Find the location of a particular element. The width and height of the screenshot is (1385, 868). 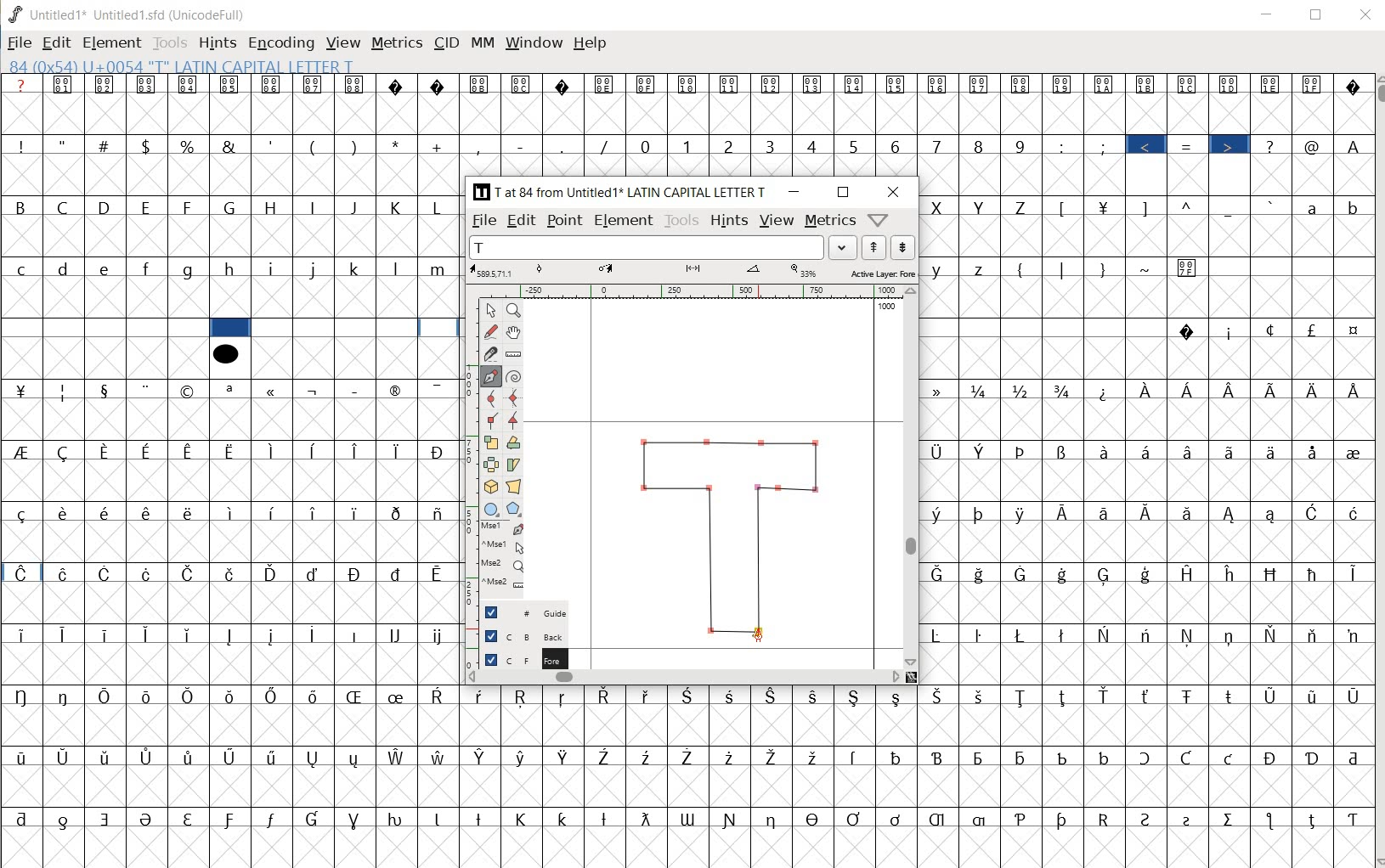

Symbol is located at coordinates (64, 757).